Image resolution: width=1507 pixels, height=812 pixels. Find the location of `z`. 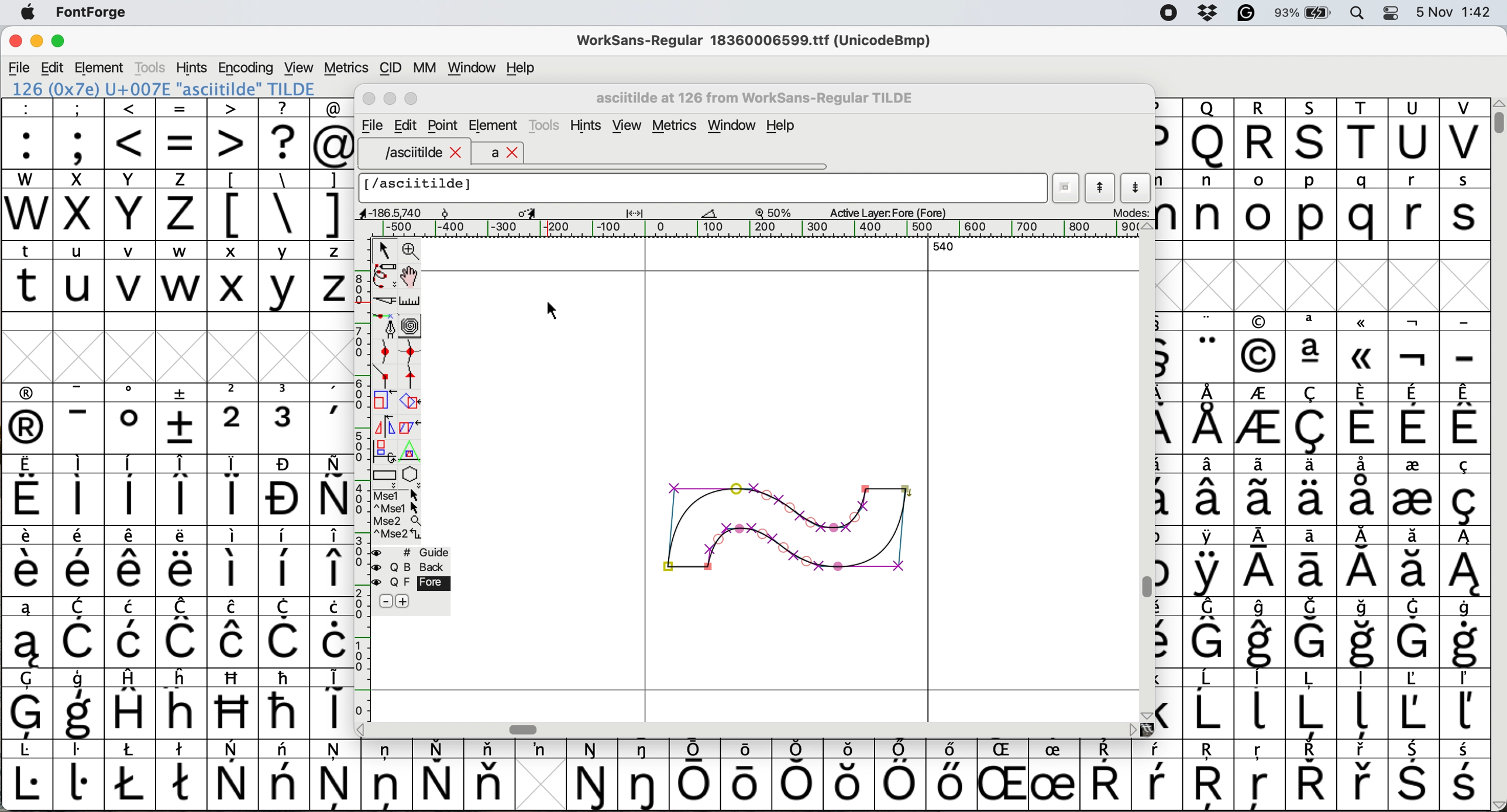

z is located at coordinates (332, 276).